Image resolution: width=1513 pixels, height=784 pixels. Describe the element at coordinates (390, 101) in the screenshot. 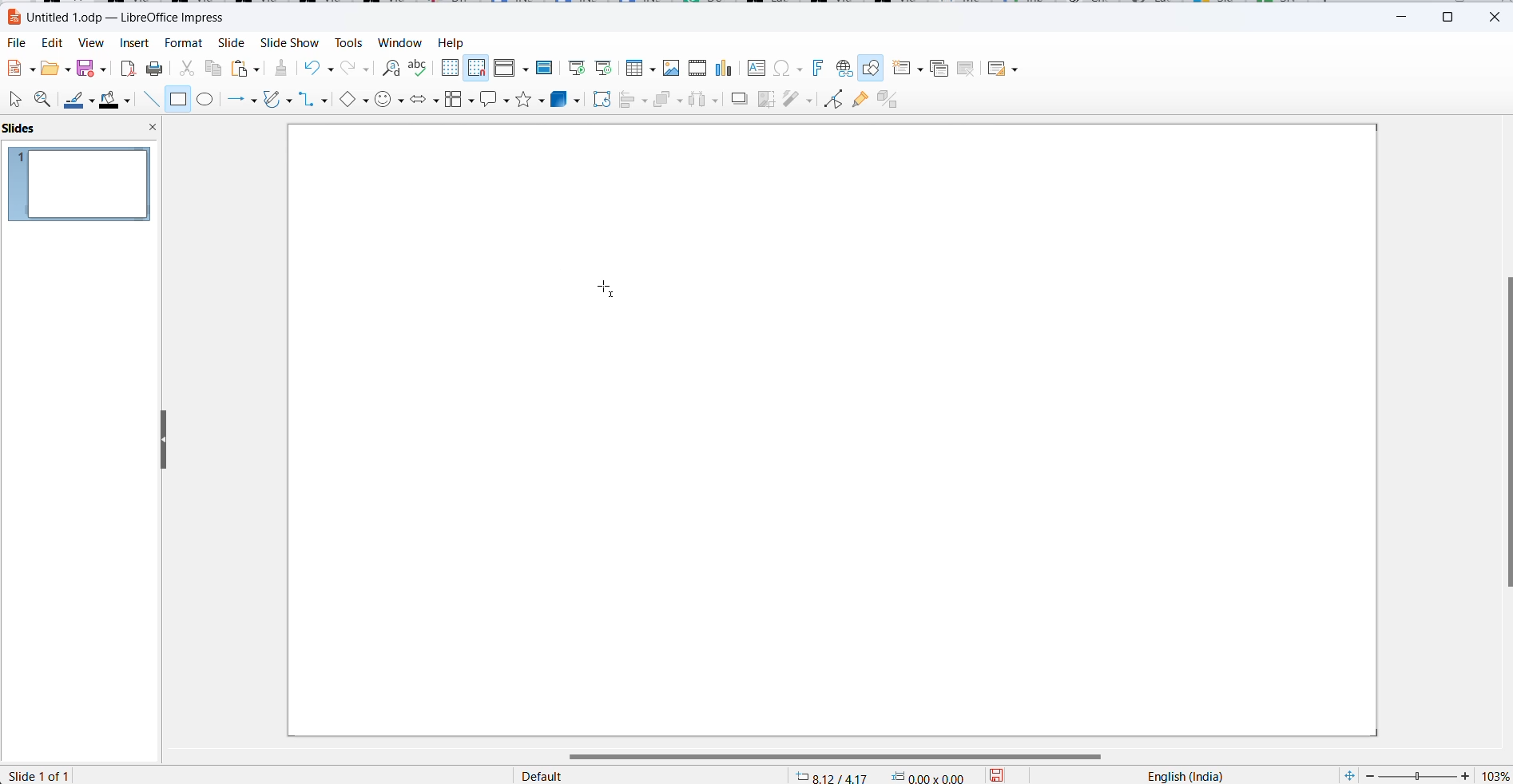

I see `symbol` at that location.